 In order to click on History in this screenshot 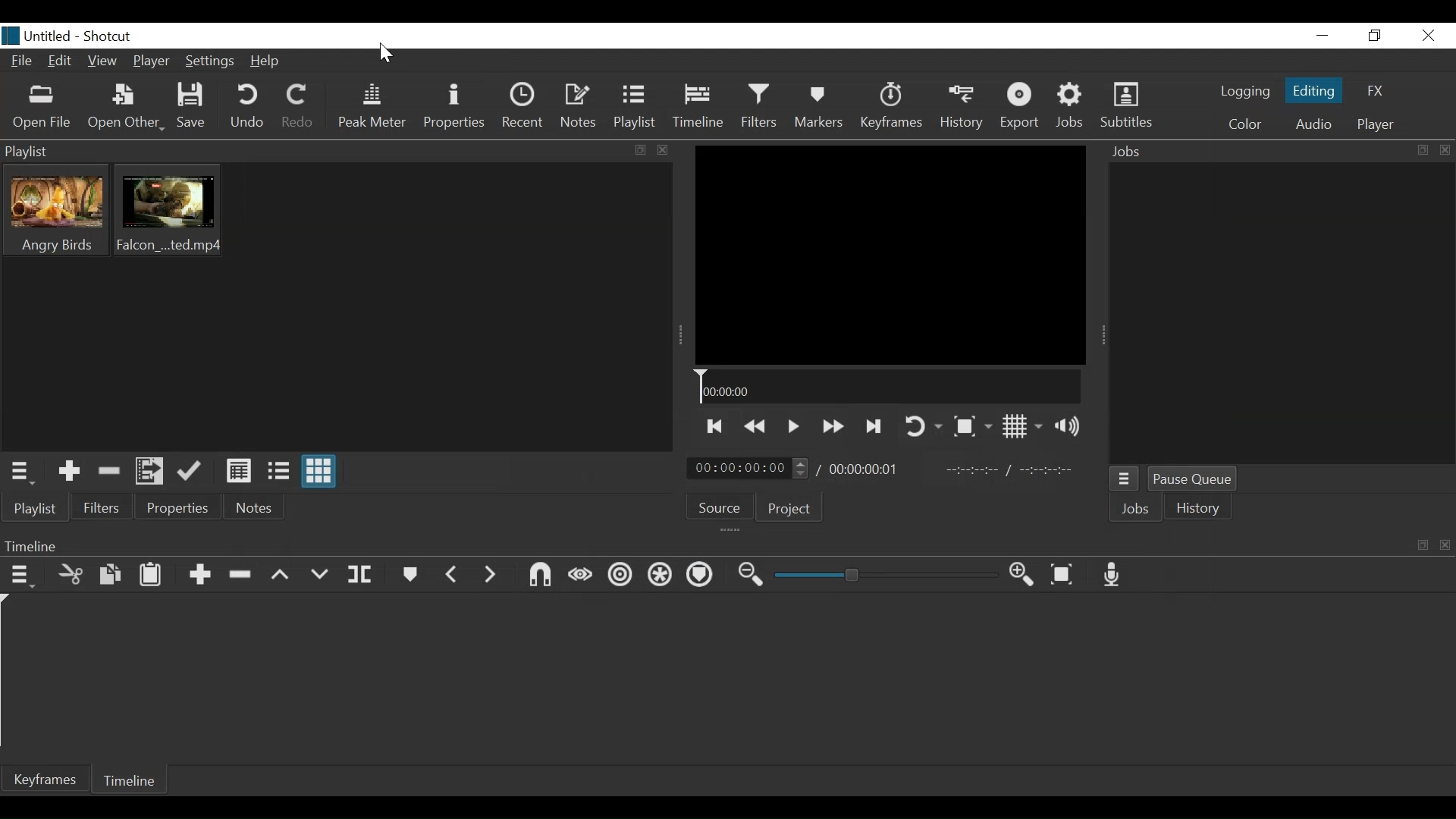, I will do `click(964, 105)`.